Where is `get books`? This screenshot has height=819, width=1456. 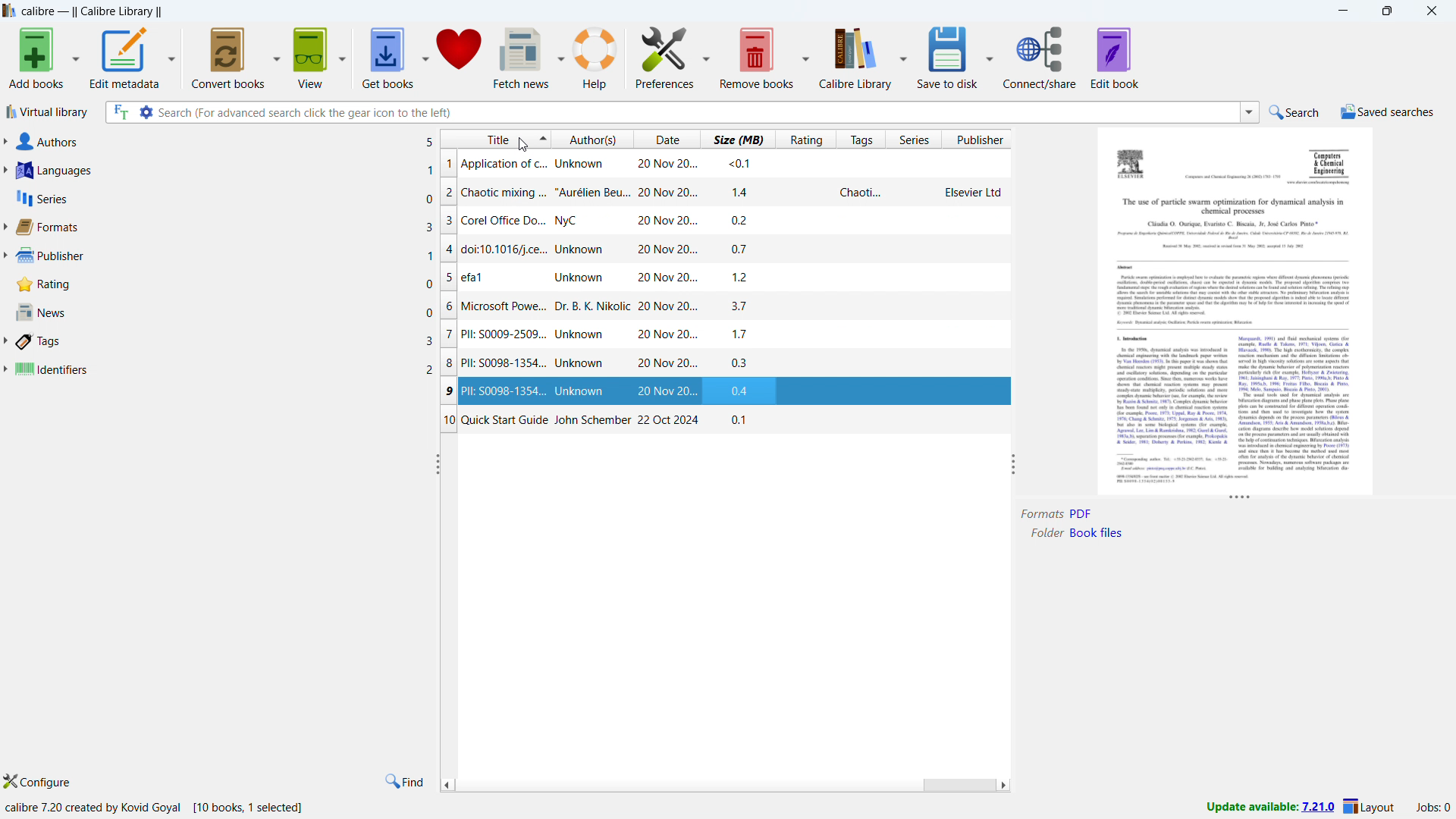
get books is located at coordinates (312, 58).